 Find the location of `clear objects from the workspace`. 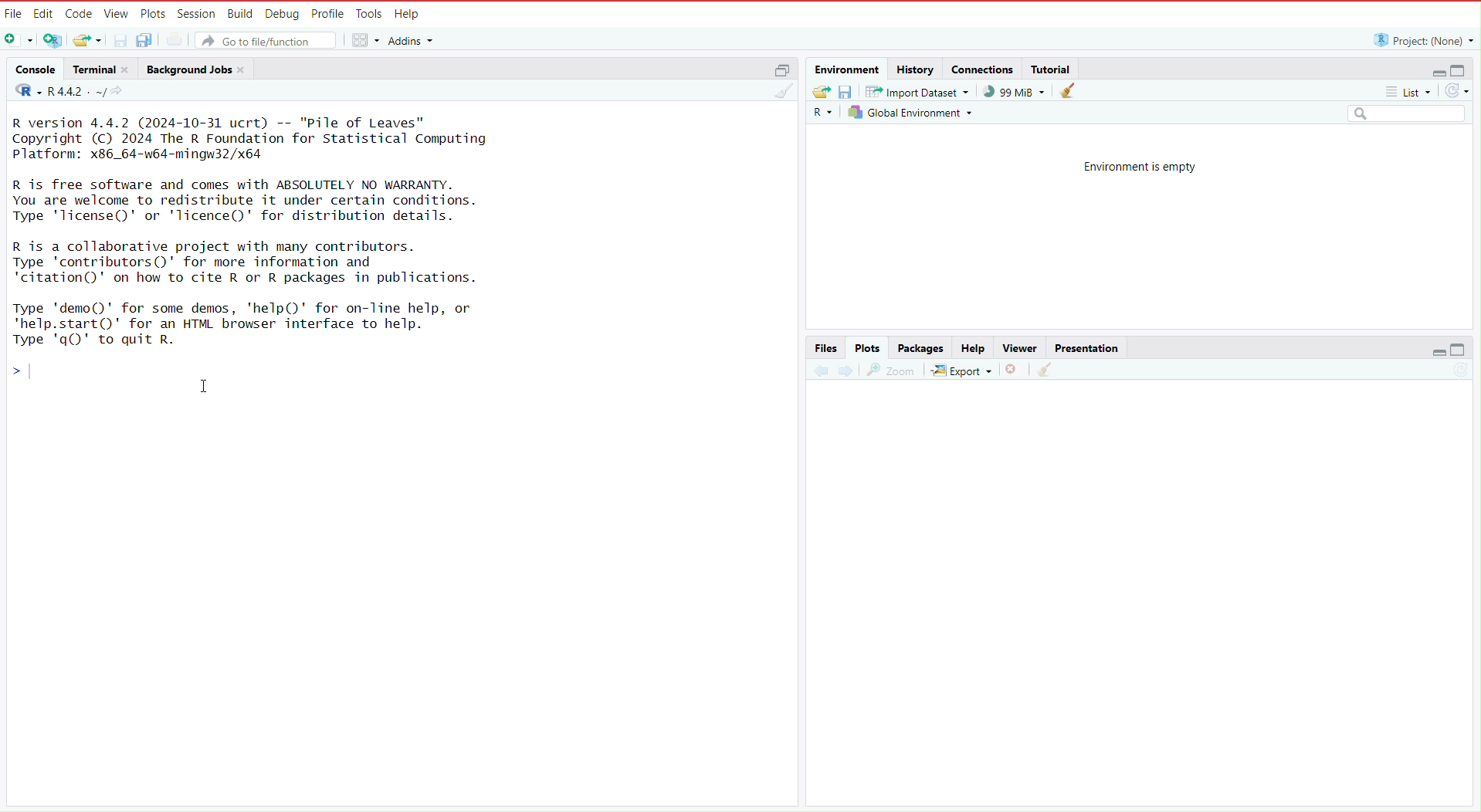

clear objects from the workspace is located at coordinates (1068, 90).